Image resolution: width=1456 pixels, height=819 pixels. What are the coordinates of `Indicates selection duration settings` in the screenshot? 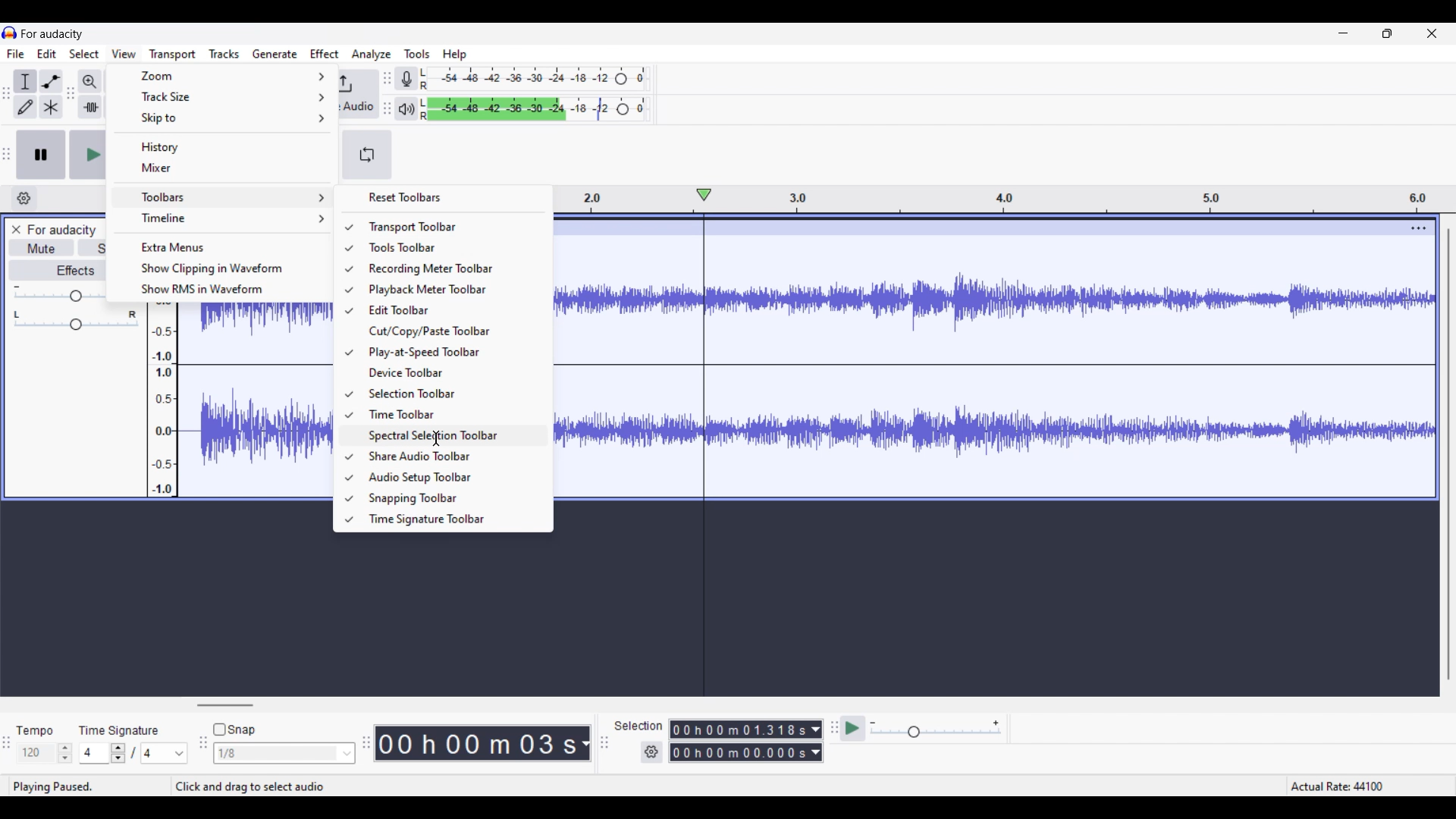 It's located at (638, 725).